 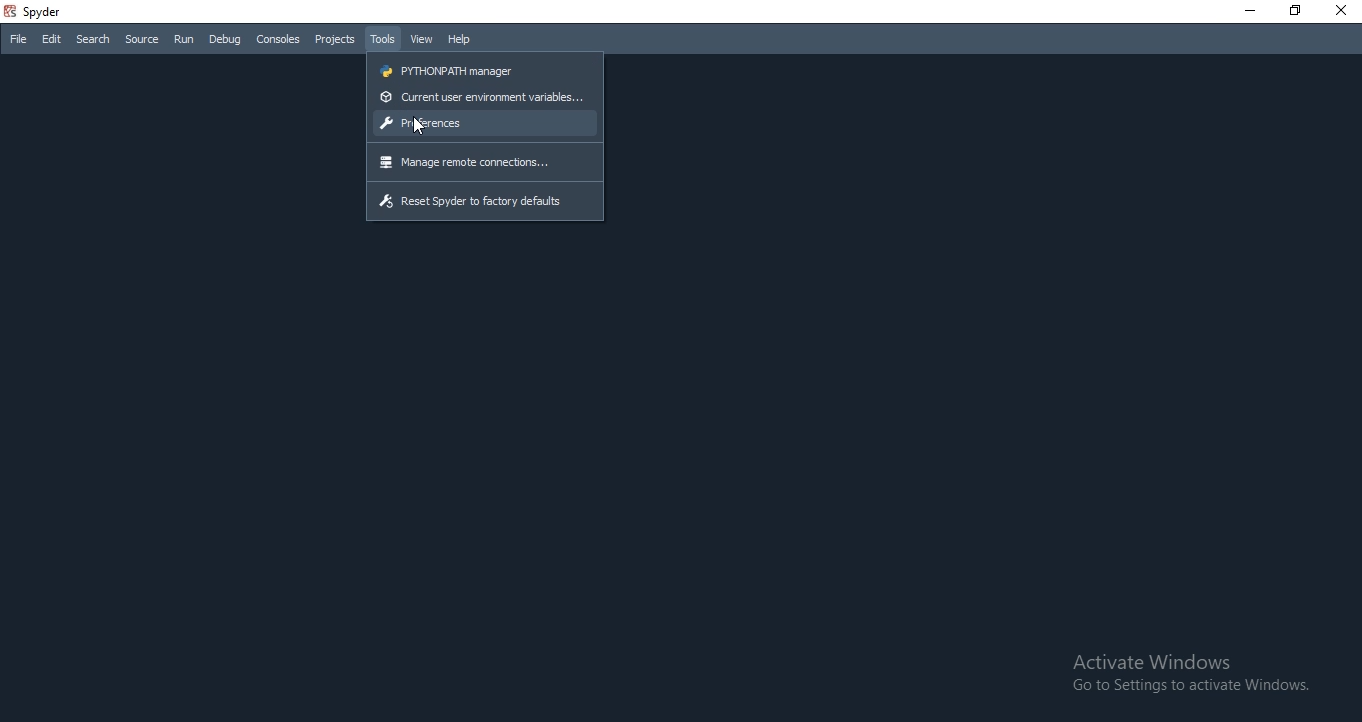 What do you see at coordinates (422, 40) in the screenshot?
I see `view` at bounding box center [422, 40].